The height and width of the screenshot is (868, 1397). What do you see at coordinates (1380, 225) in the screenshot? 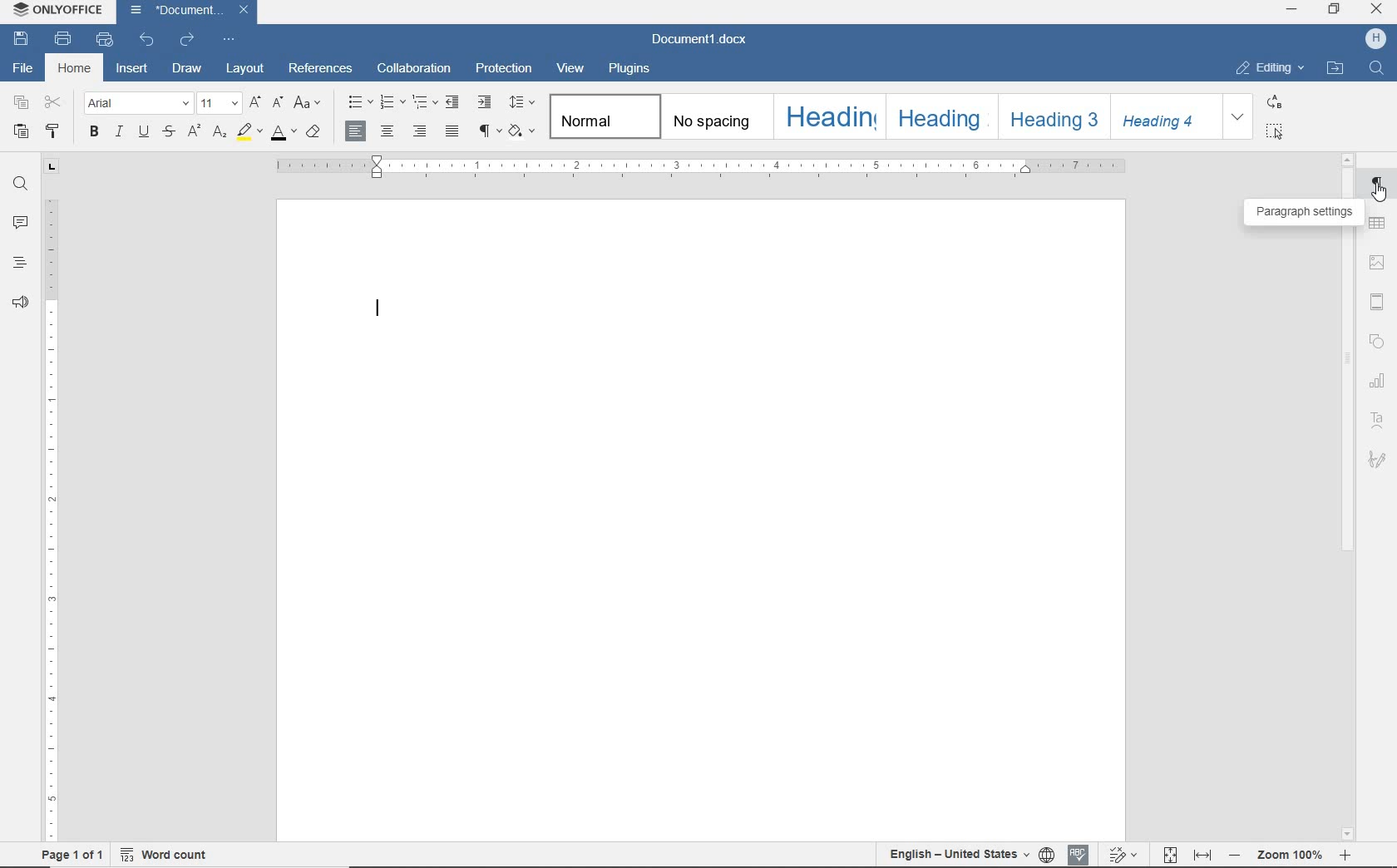
I see `table` at bounding box center [1380, 225].